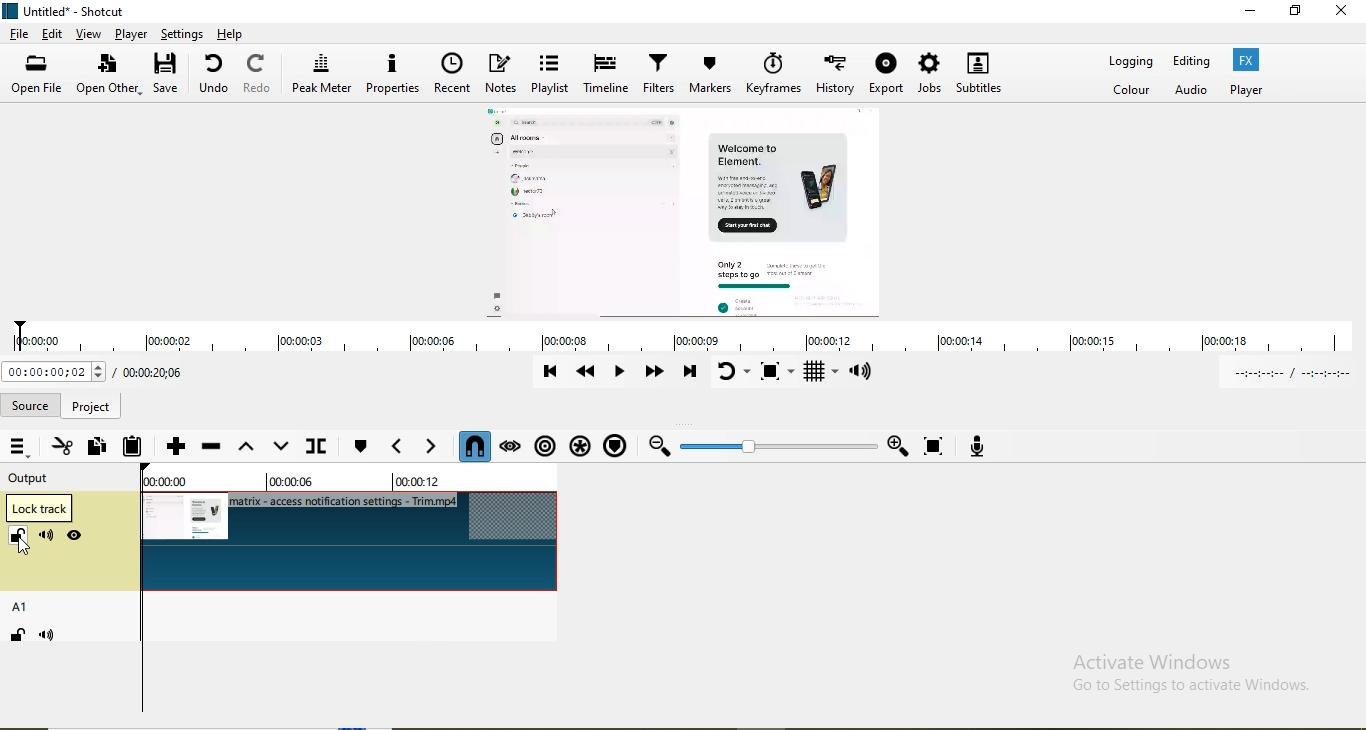  What do you see at coordinates (657, 372) in the screenshot?
I see `Play quickly forward` at bounding box center [657, 372].